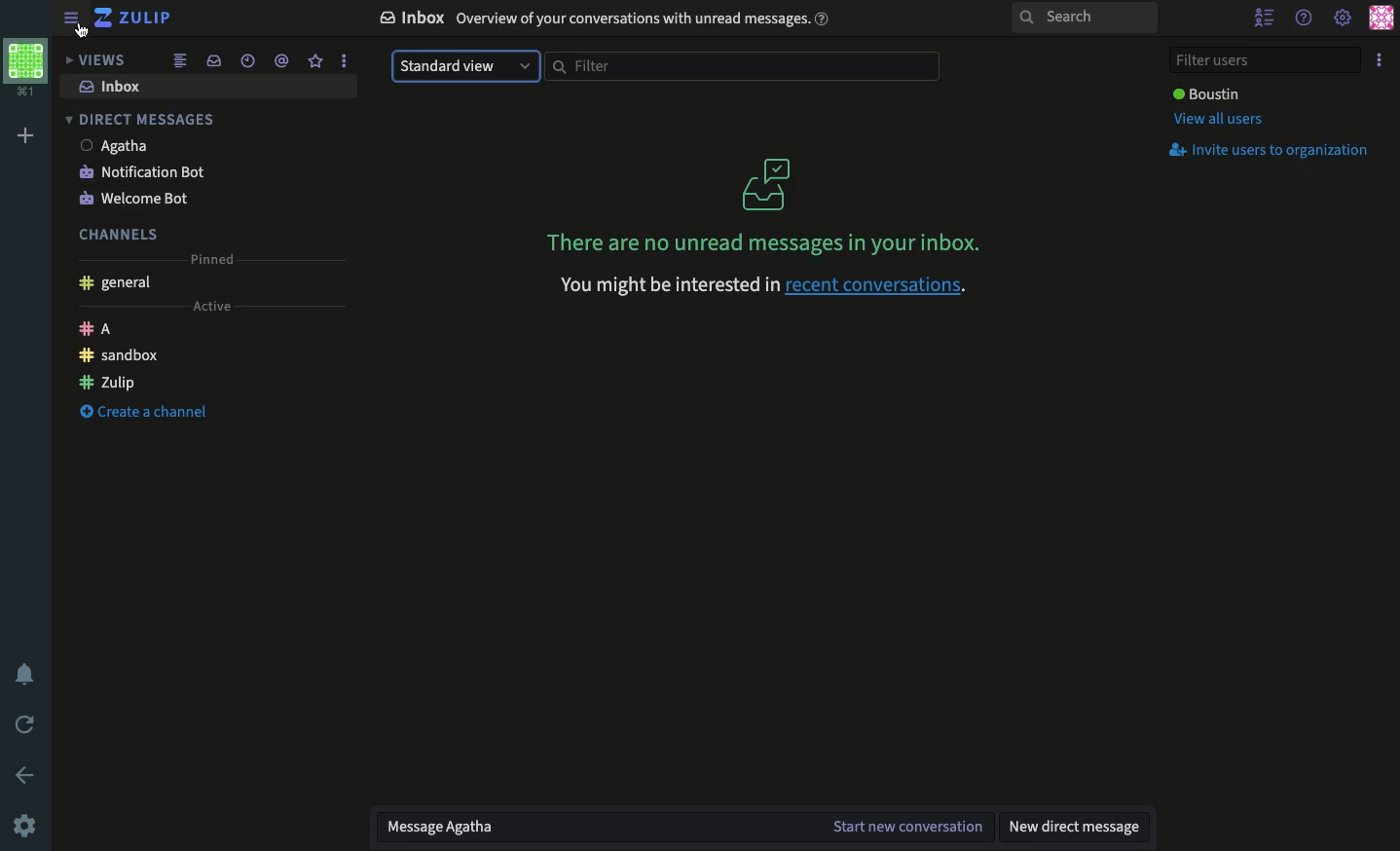  What do you see at coordinates (26, 825) in the screenshot?
I see `Settings` at bounding box center [26, 825].